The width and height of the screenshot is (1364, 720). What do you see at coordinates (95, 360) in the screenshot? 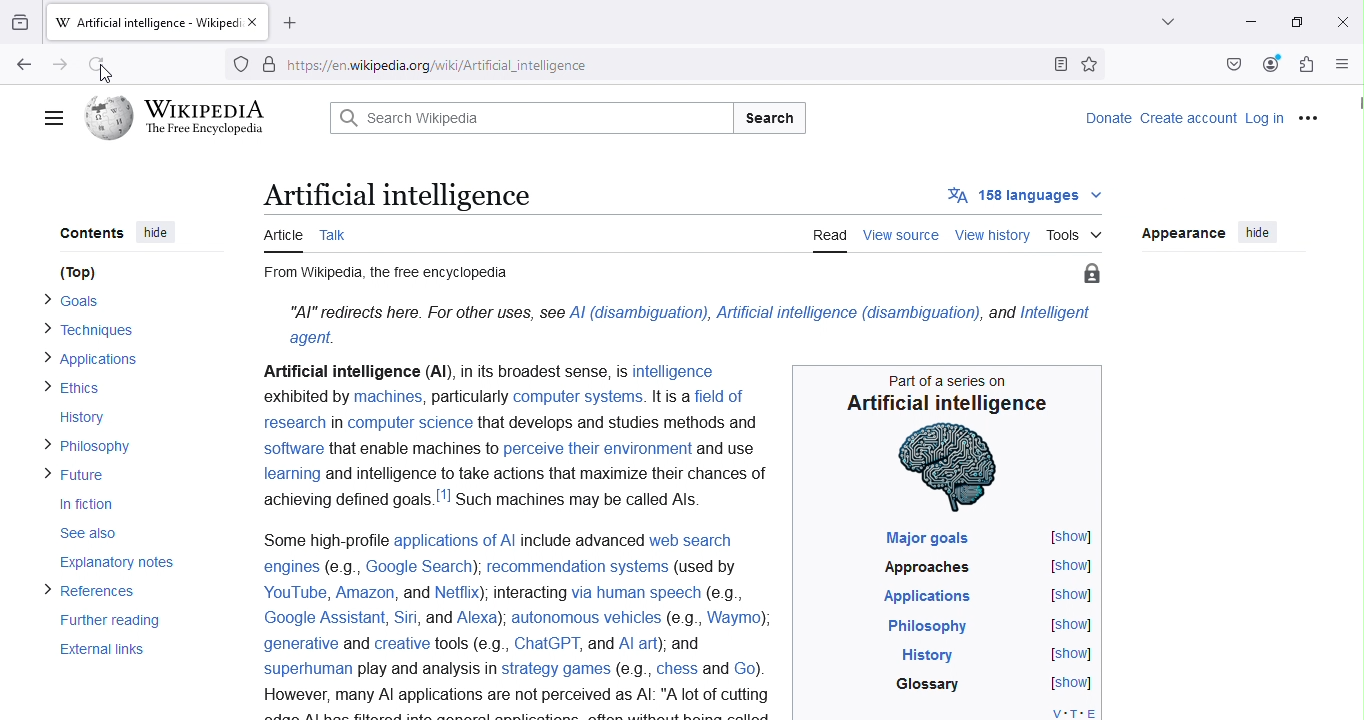
I see `> Applications` at bounding box center [95, 360].